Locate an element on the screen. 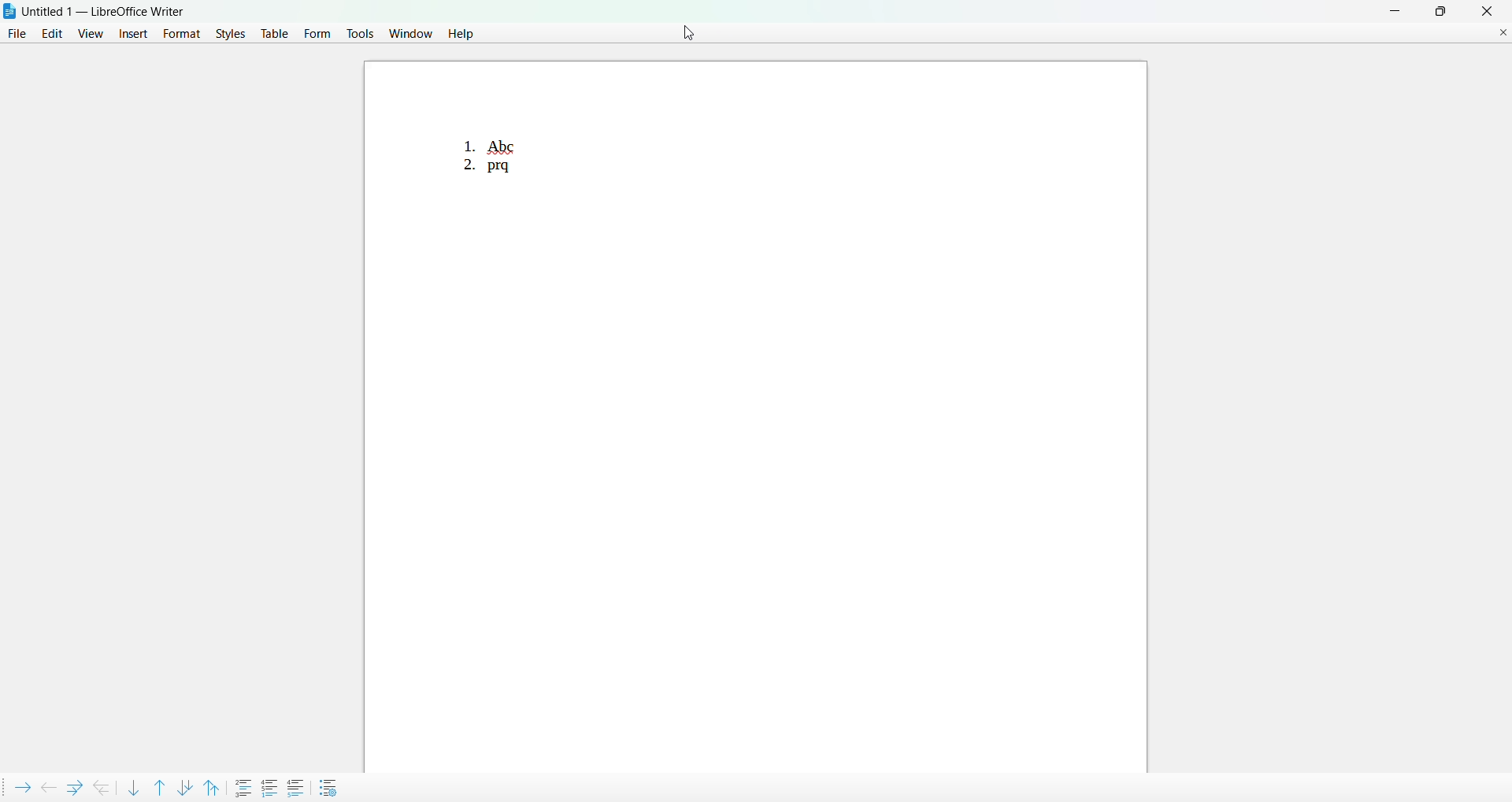 The height and width of the screenshot is (802, 1512). styles is located at coordinates (228, 35).